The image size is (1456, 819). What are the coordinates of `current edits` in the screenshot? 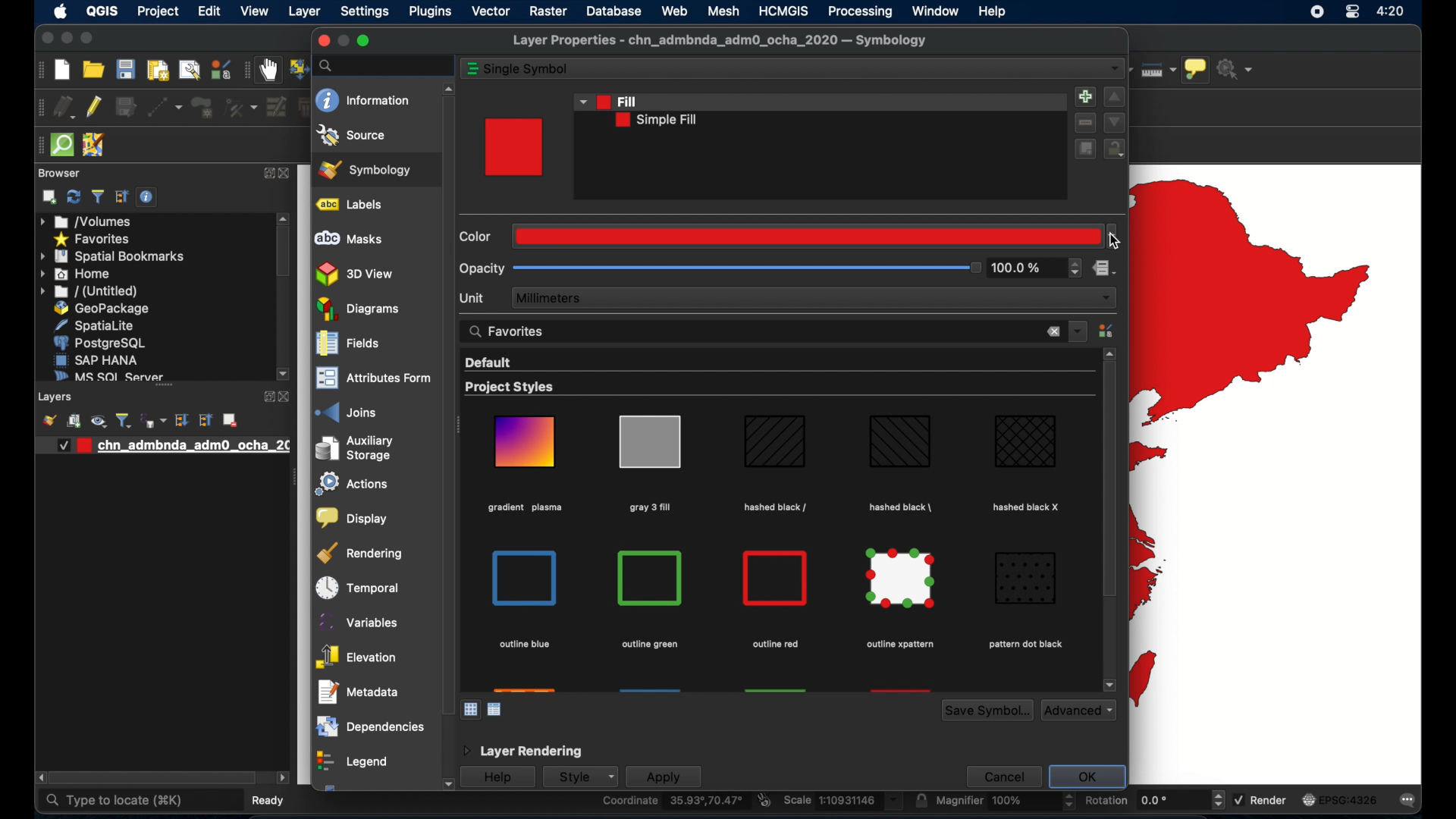 It's located at (64, 108).